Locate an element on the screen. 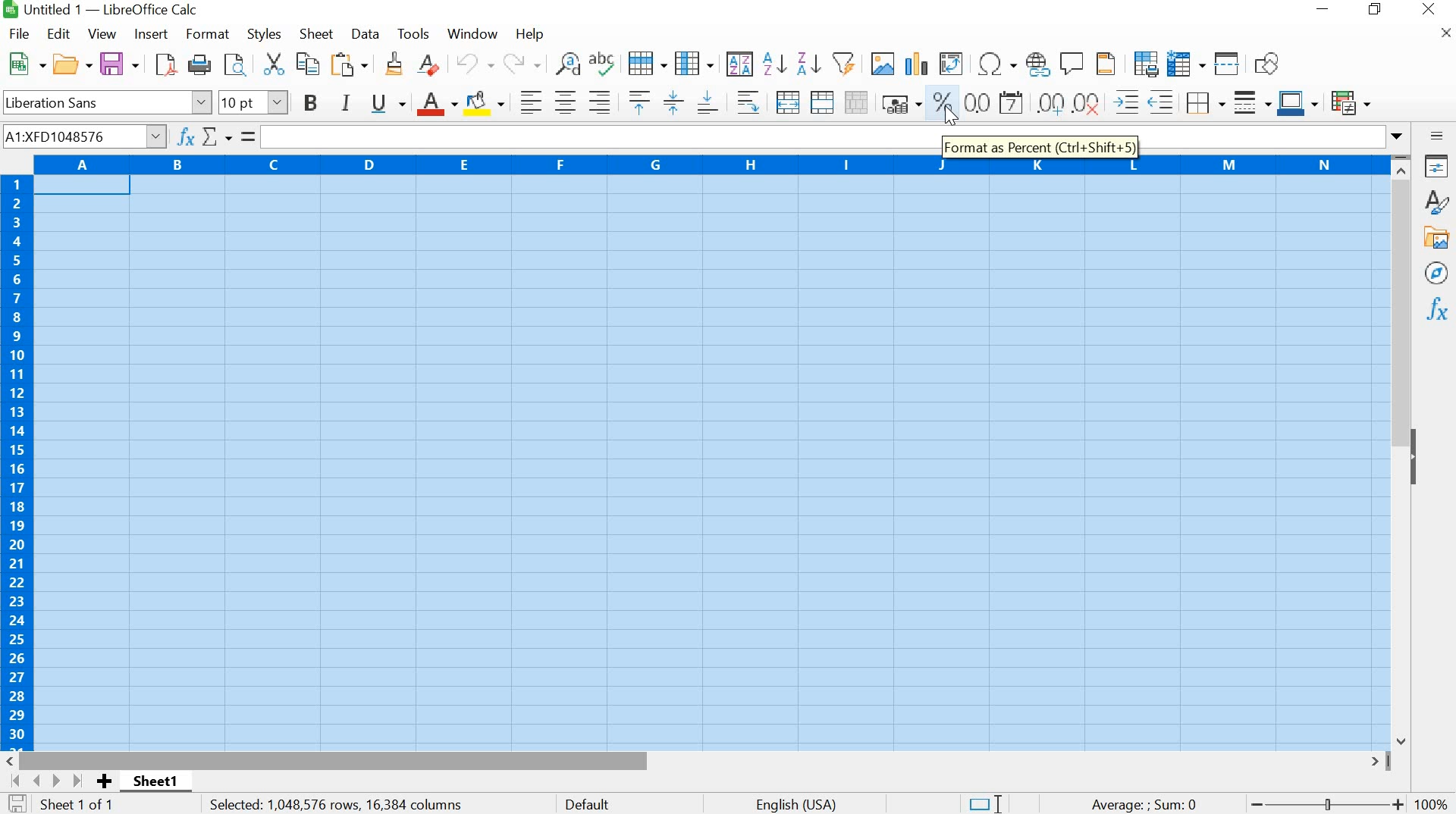 The height and width of the screenshot is (814, 1456). Clone formatting is located at coordinates (393, 64).